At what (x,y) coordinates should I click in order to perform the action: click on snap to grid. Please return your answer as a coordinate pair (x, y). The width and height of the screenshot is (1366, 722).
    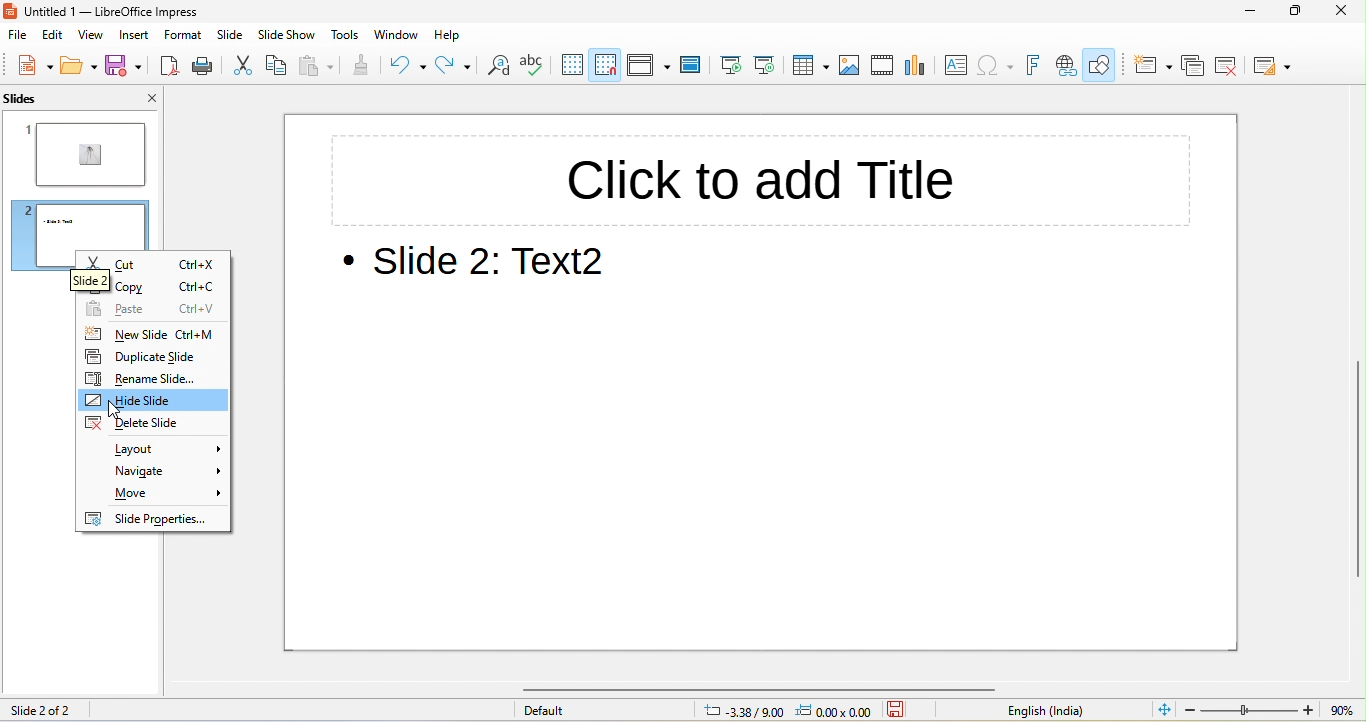
    Looking at the image, I should click on (610, 63).